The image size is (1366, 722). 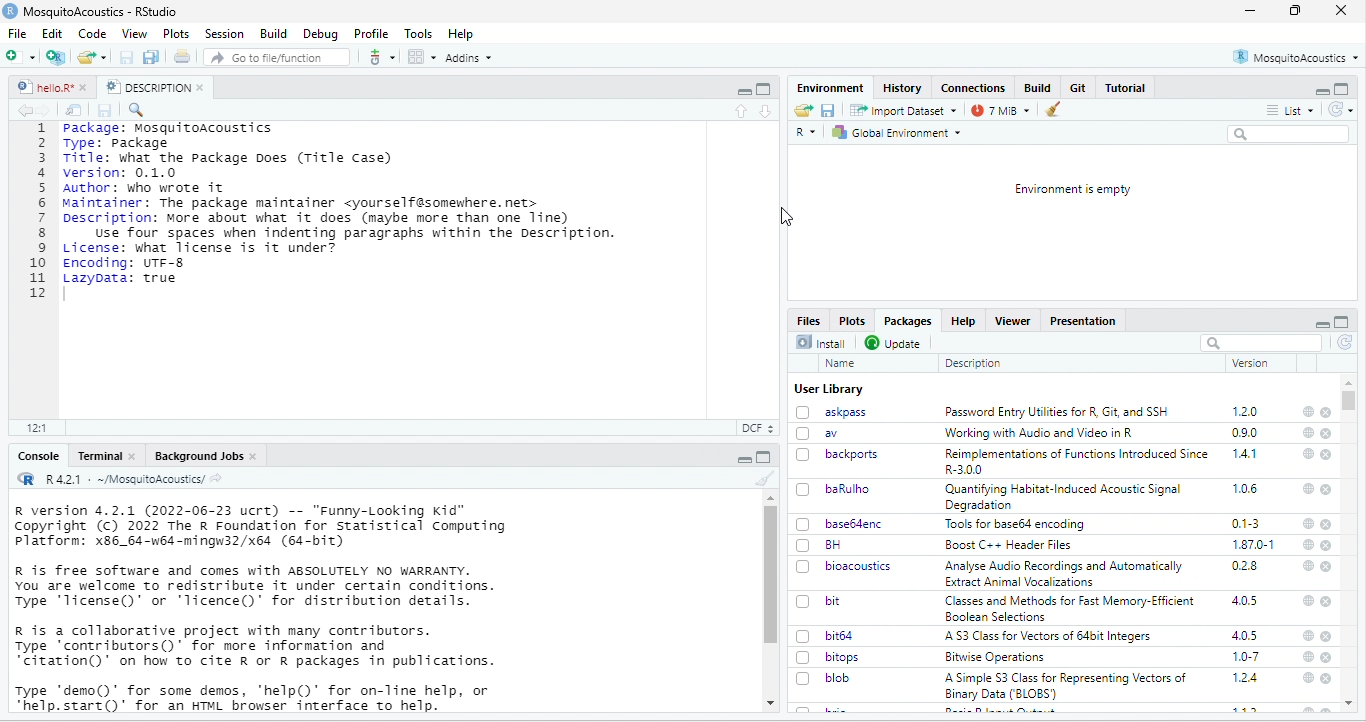 What do you see at coordinates (256, 697) in the screenshot?
I see `Type ‘demo()" for some demos, 'help()’ for on-line help, or
*help.start()’ for an HTML browser interface to help.` at bounding box center [256, 697].